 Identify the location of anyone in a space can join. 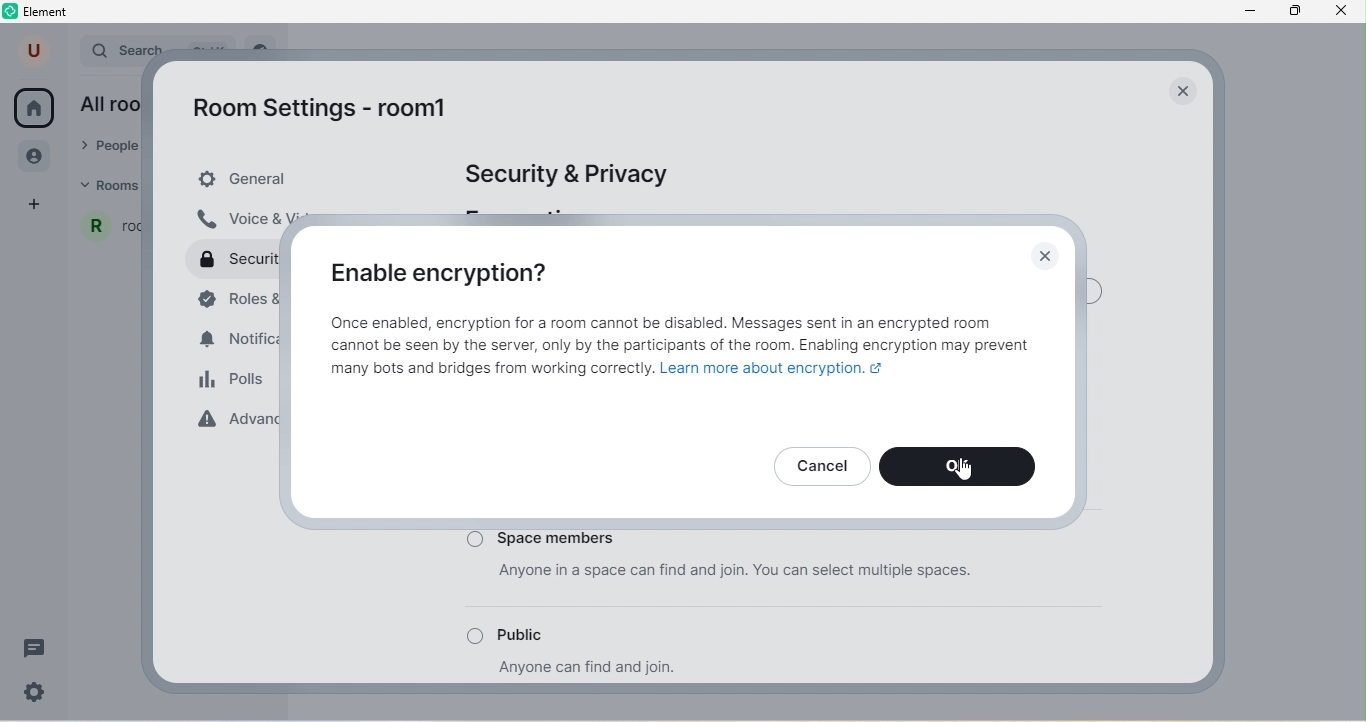
(766, 582).